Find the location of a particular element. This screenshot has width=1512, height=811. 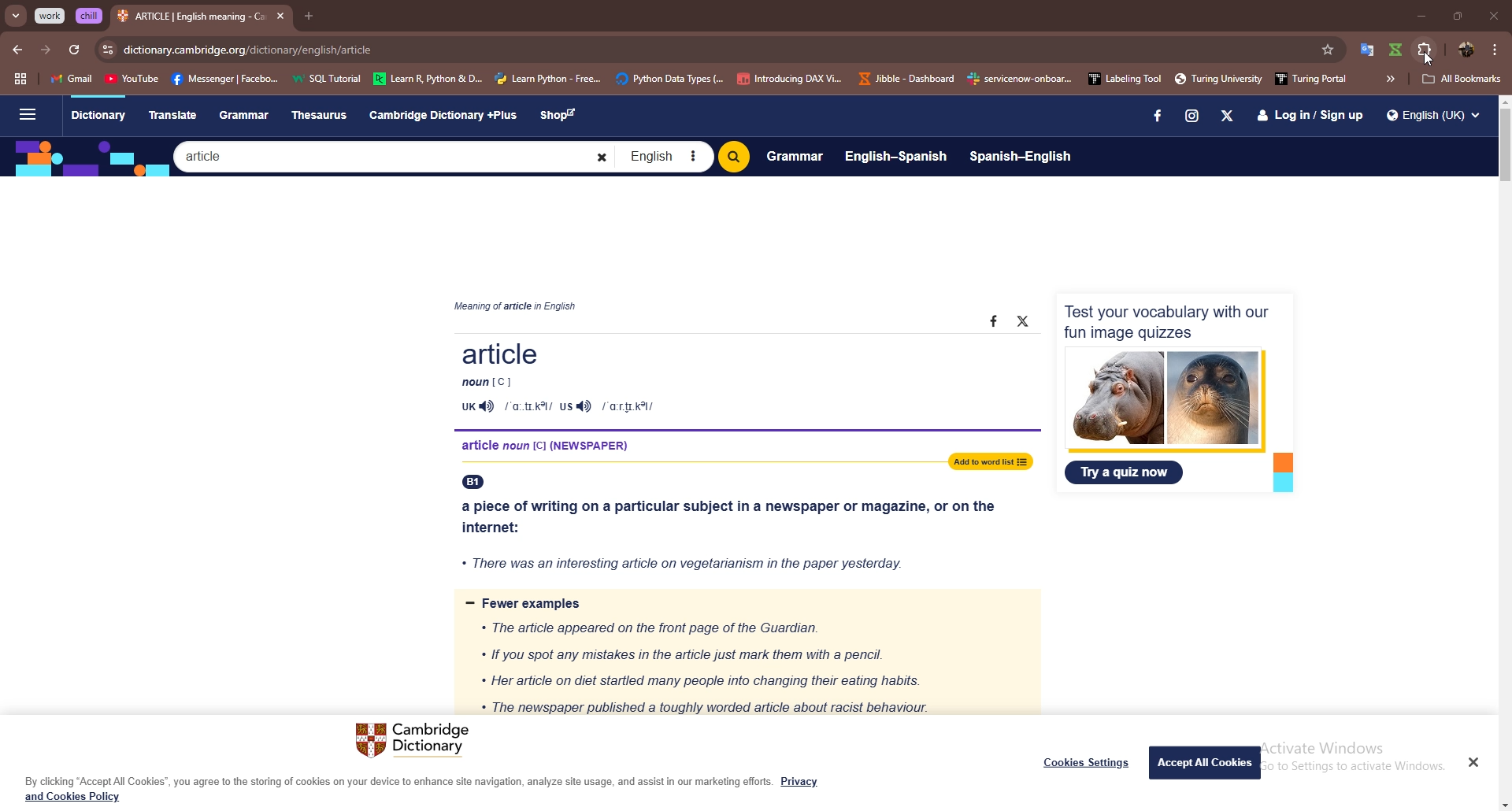

scroll up is located at coordinates (1503, 101).